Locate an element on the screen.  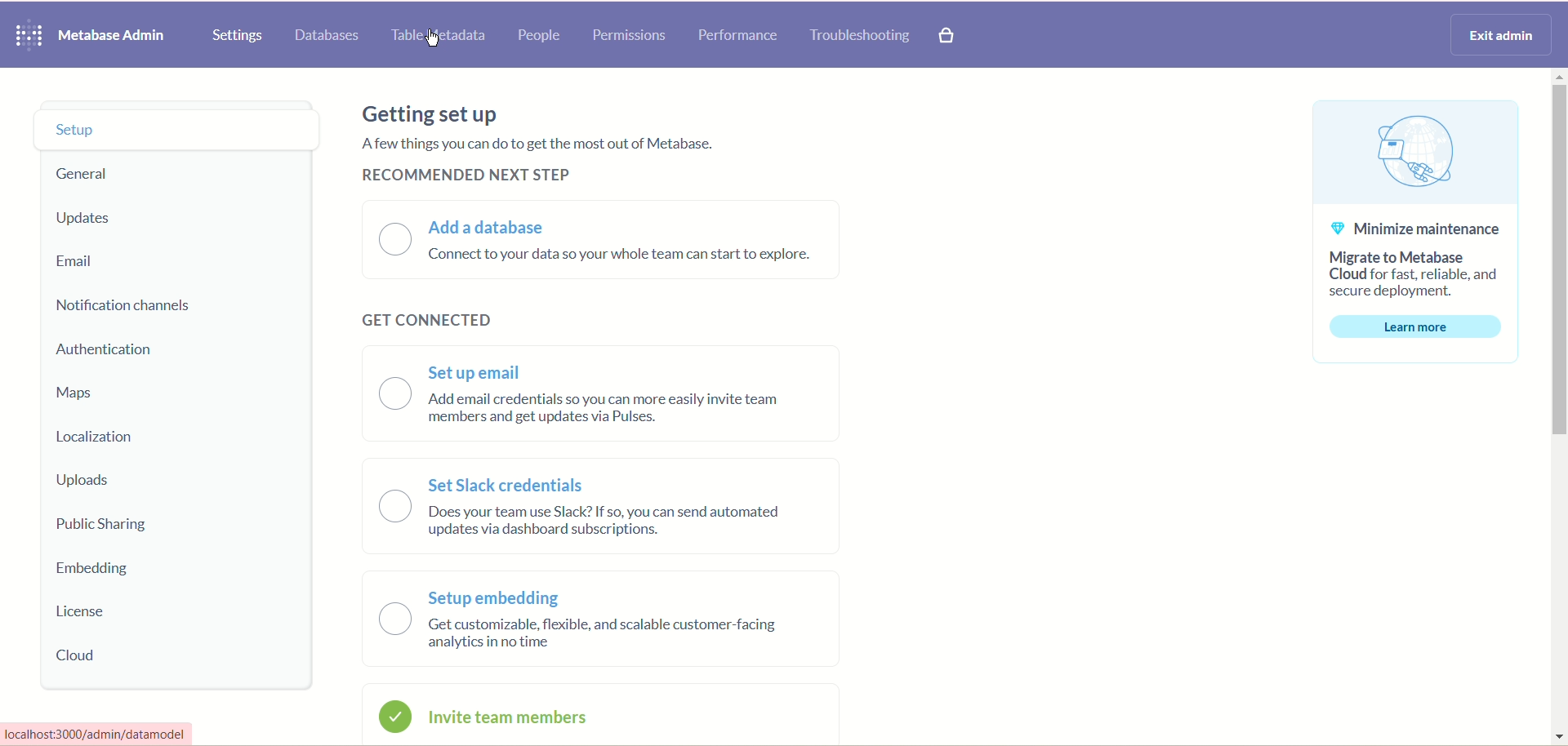
learn more is located at coordinates (1417, 328).